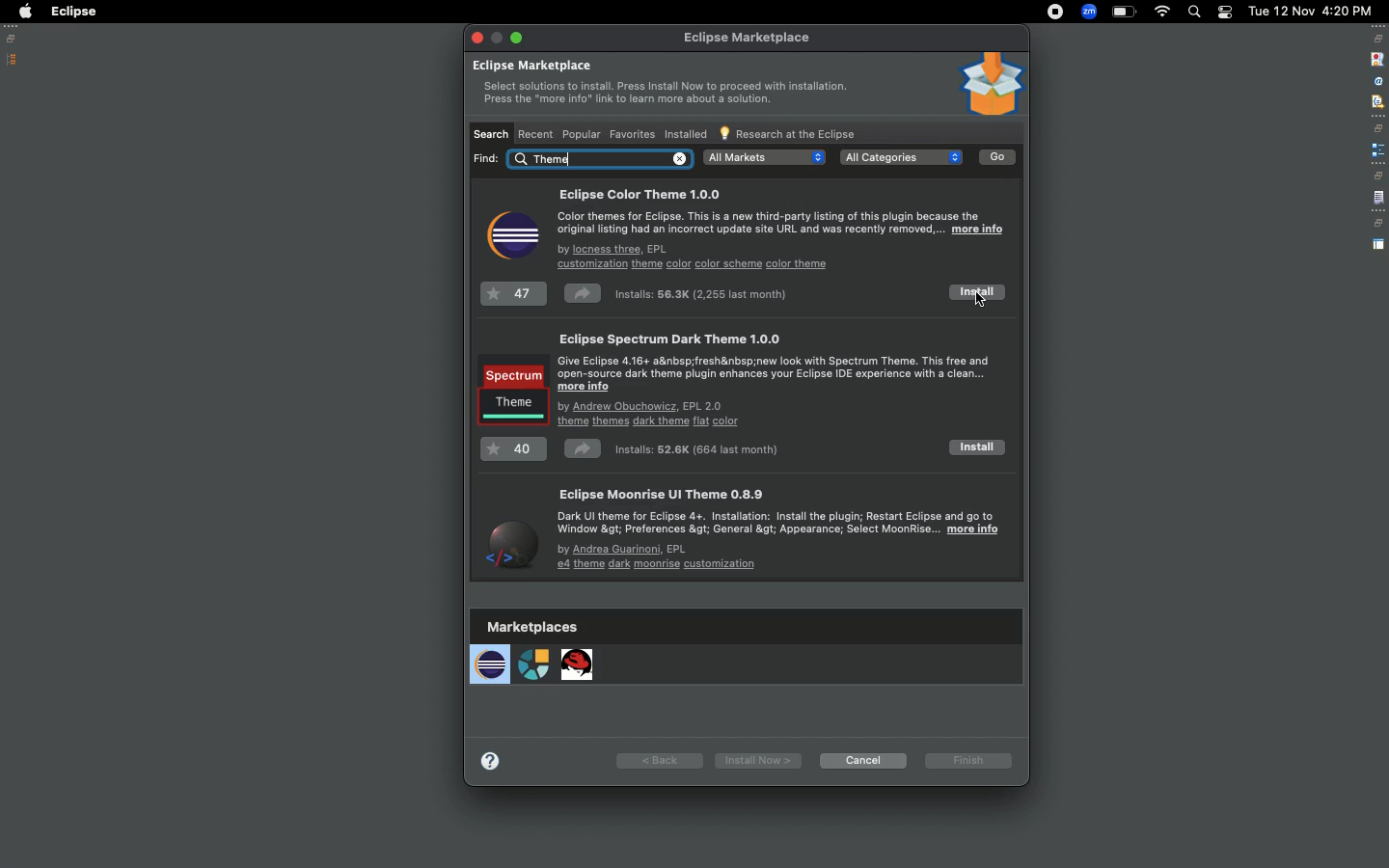 The image size is (1389, 868). Describe the element at coordinates (1377, 176) in the screenshot. I see `restore` at that location.